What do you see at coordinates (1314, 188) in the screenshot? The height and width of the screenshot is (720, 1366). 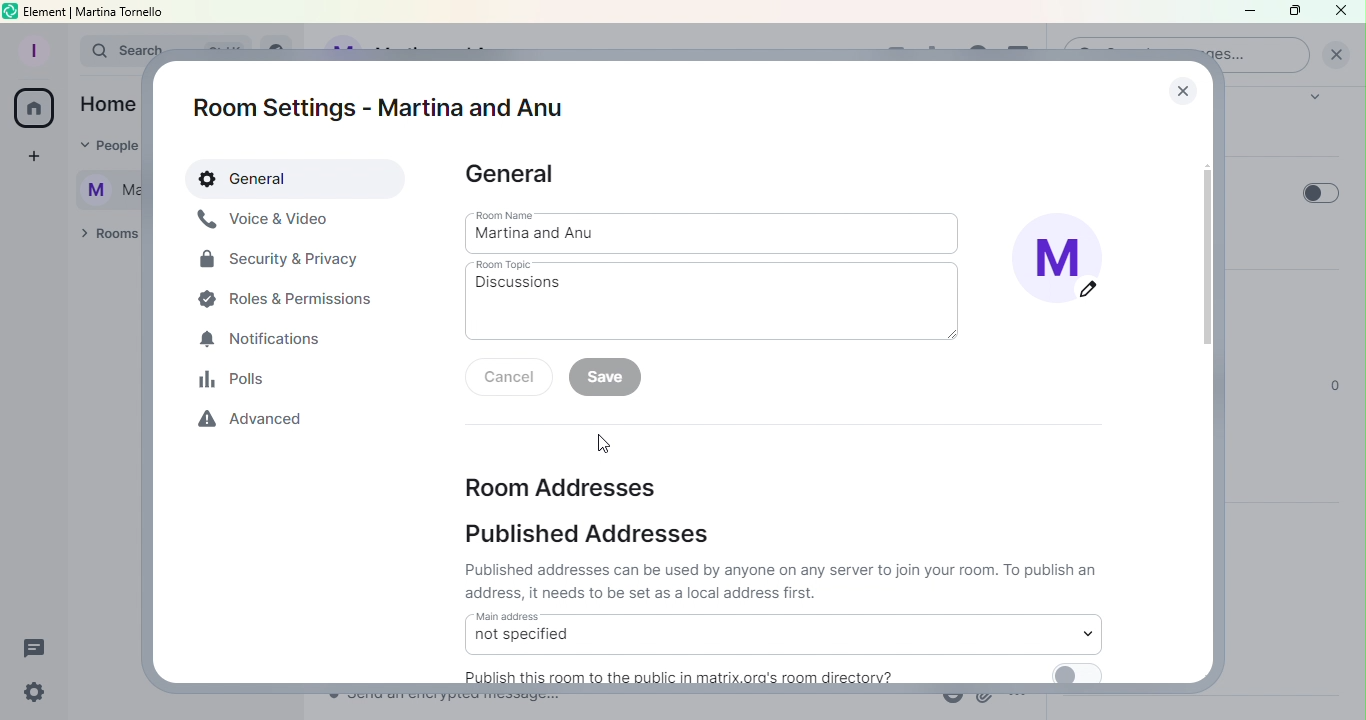 I see `Toggle` at bounding box center [1314, 188].